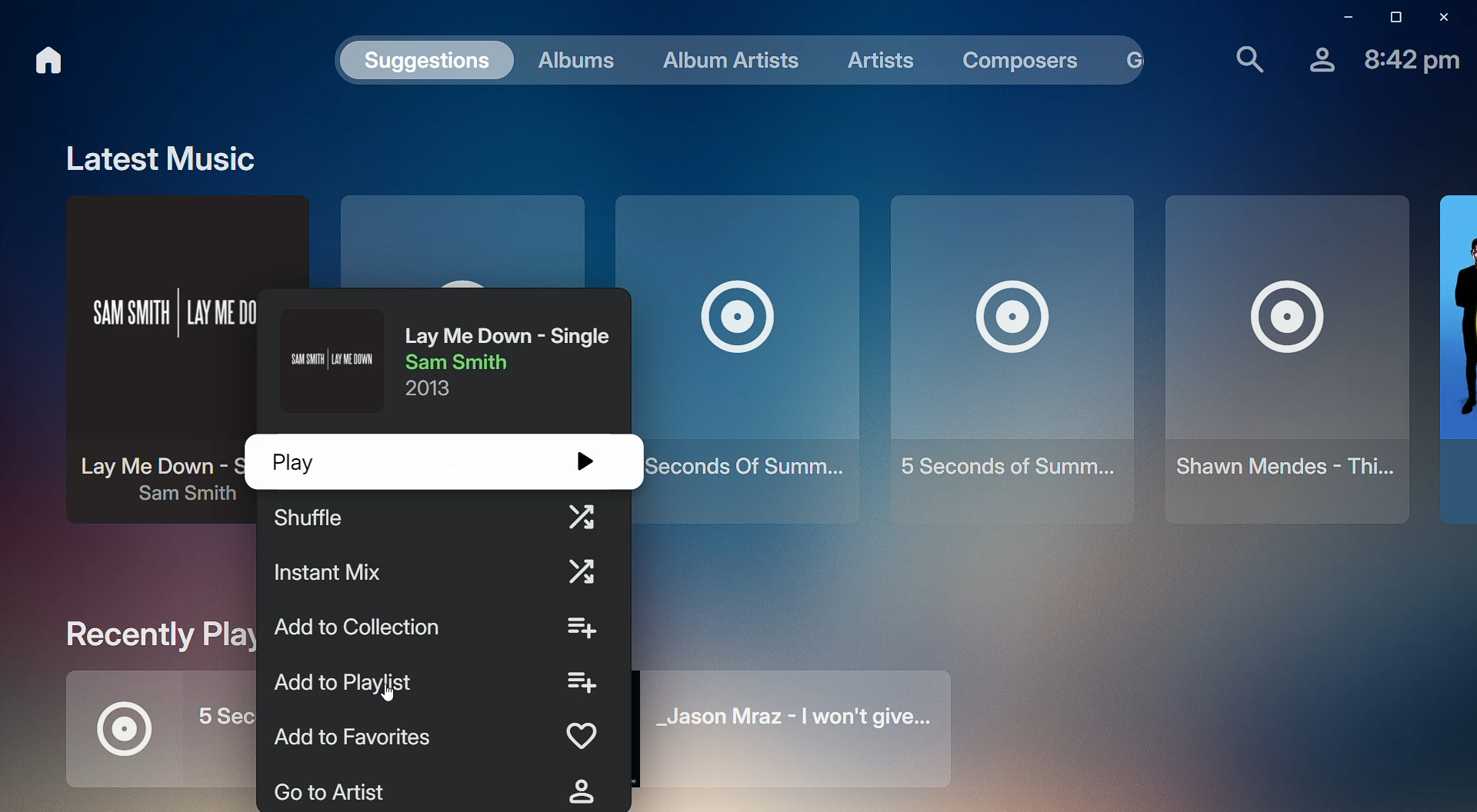  What do you see at coordinates (452, 366) in the screenshot?
I see `Lay Me Down - Sam Smith` at bounding box center [452, 366].